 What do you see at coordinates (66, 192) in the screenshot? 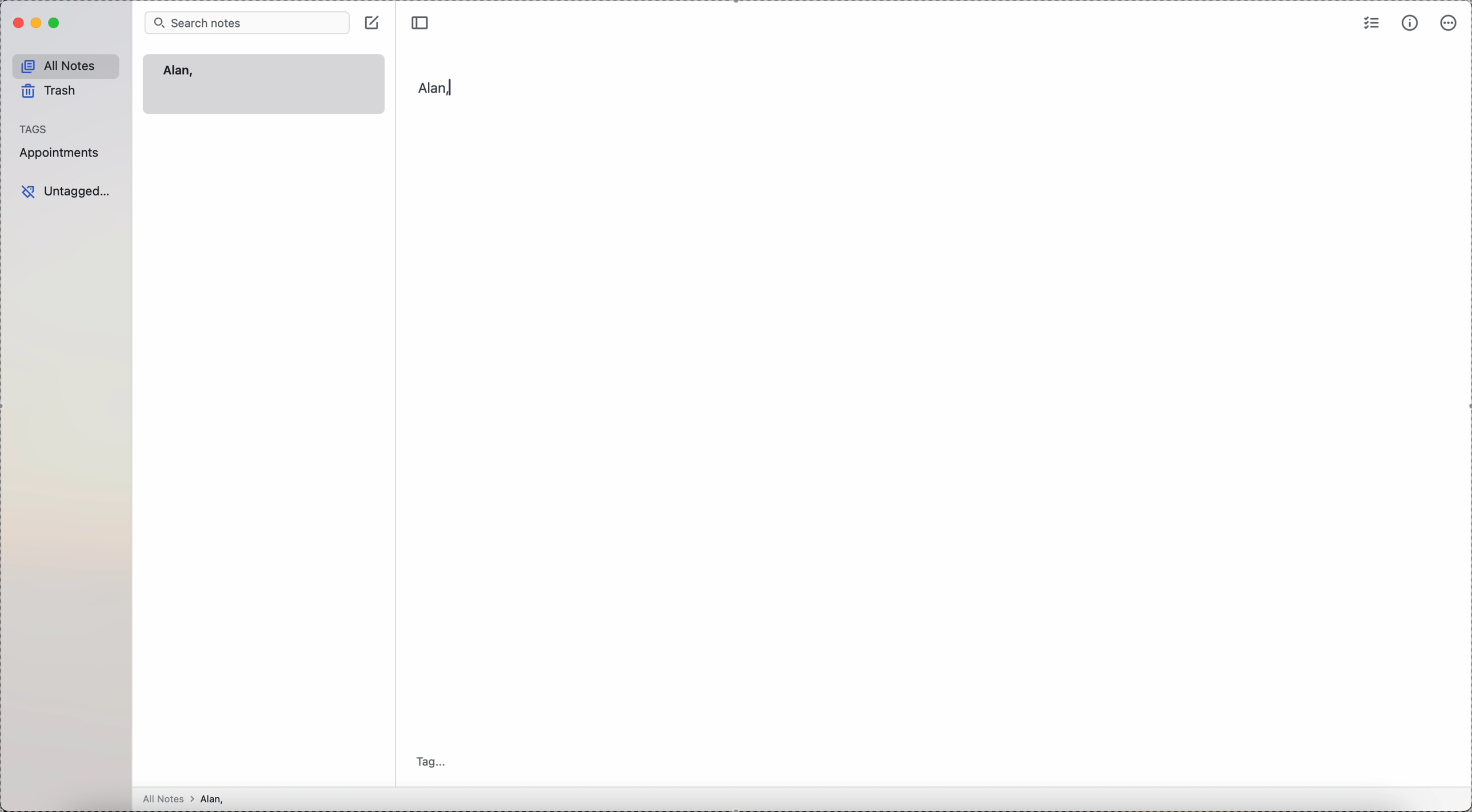
I see `untagged` at bounding box center [66, 192].